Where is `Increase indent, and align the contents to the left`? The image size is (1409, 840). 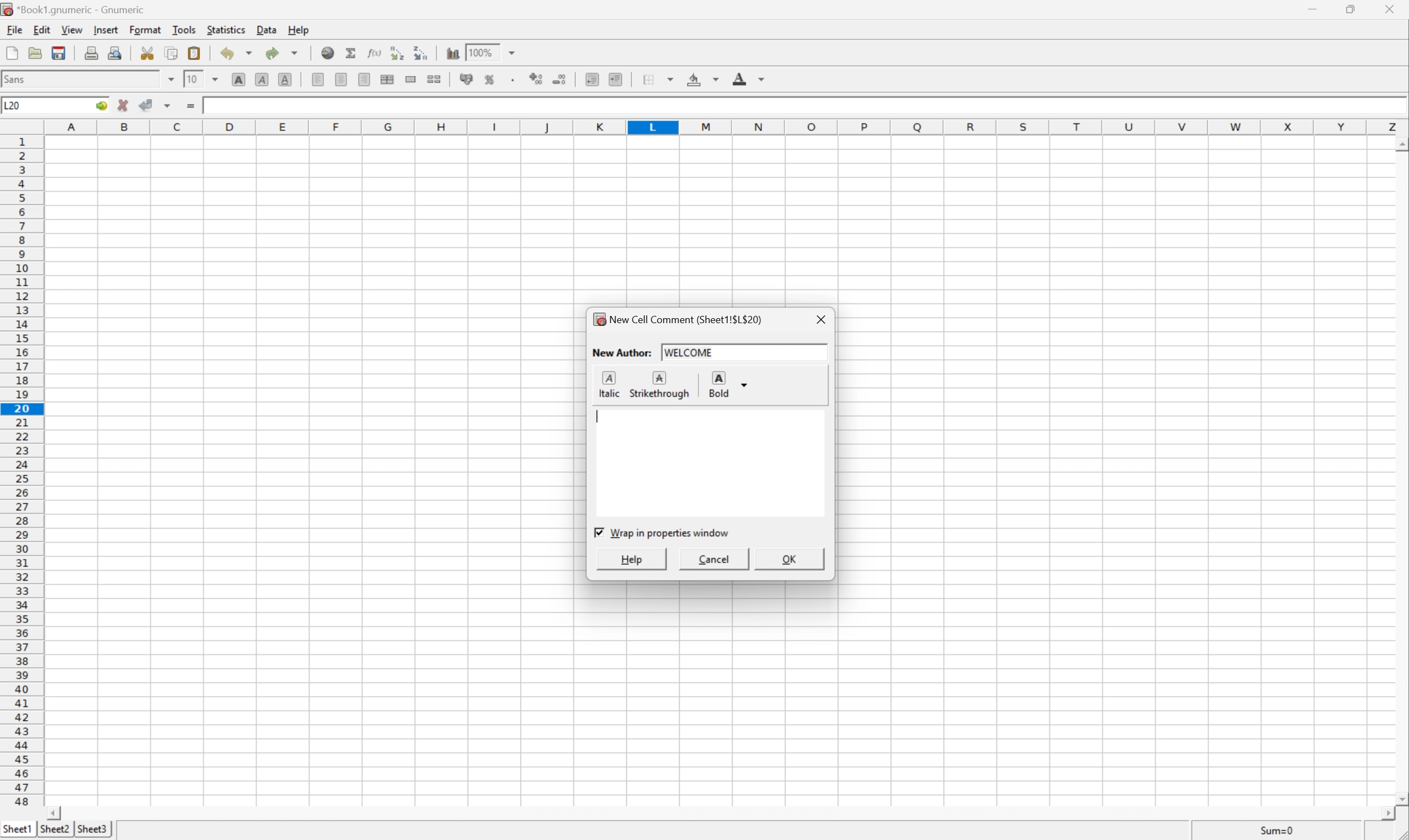 Increase indent, and align the contents to the left is located at coordinates (616, 79).